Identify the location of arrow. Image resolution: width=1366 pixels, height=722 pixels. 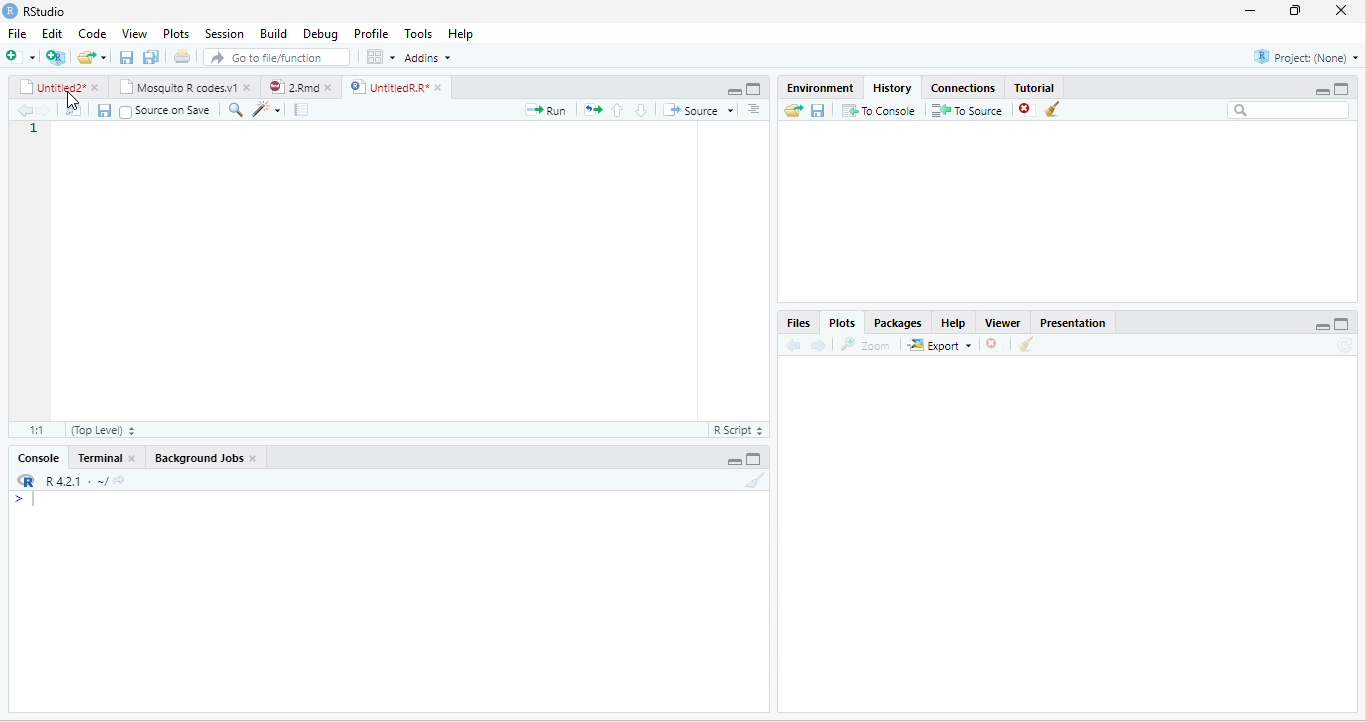
(22, 111).